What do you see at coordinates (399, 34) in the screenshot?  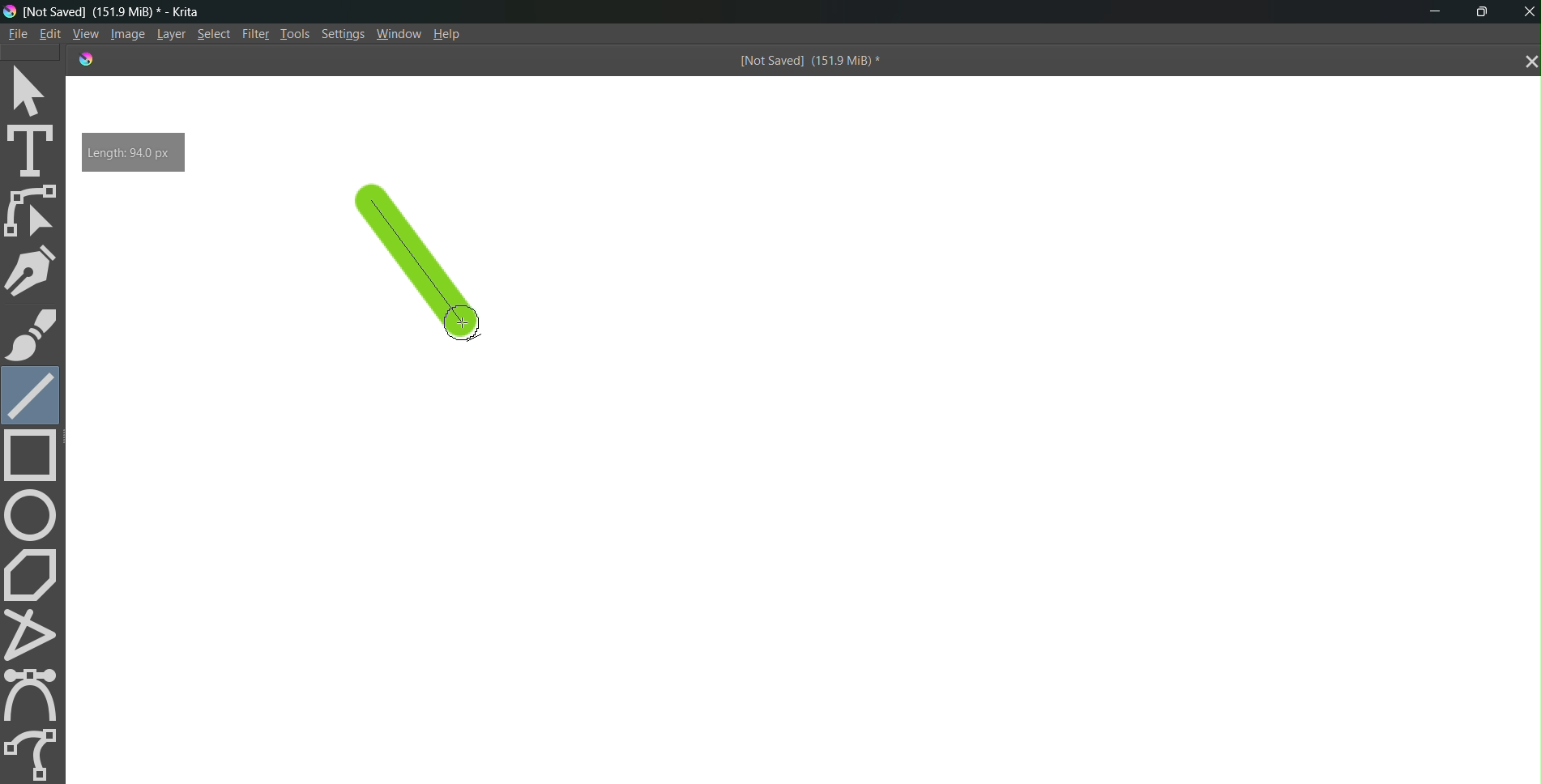 I see `Window` at bounding box center [399, 34].